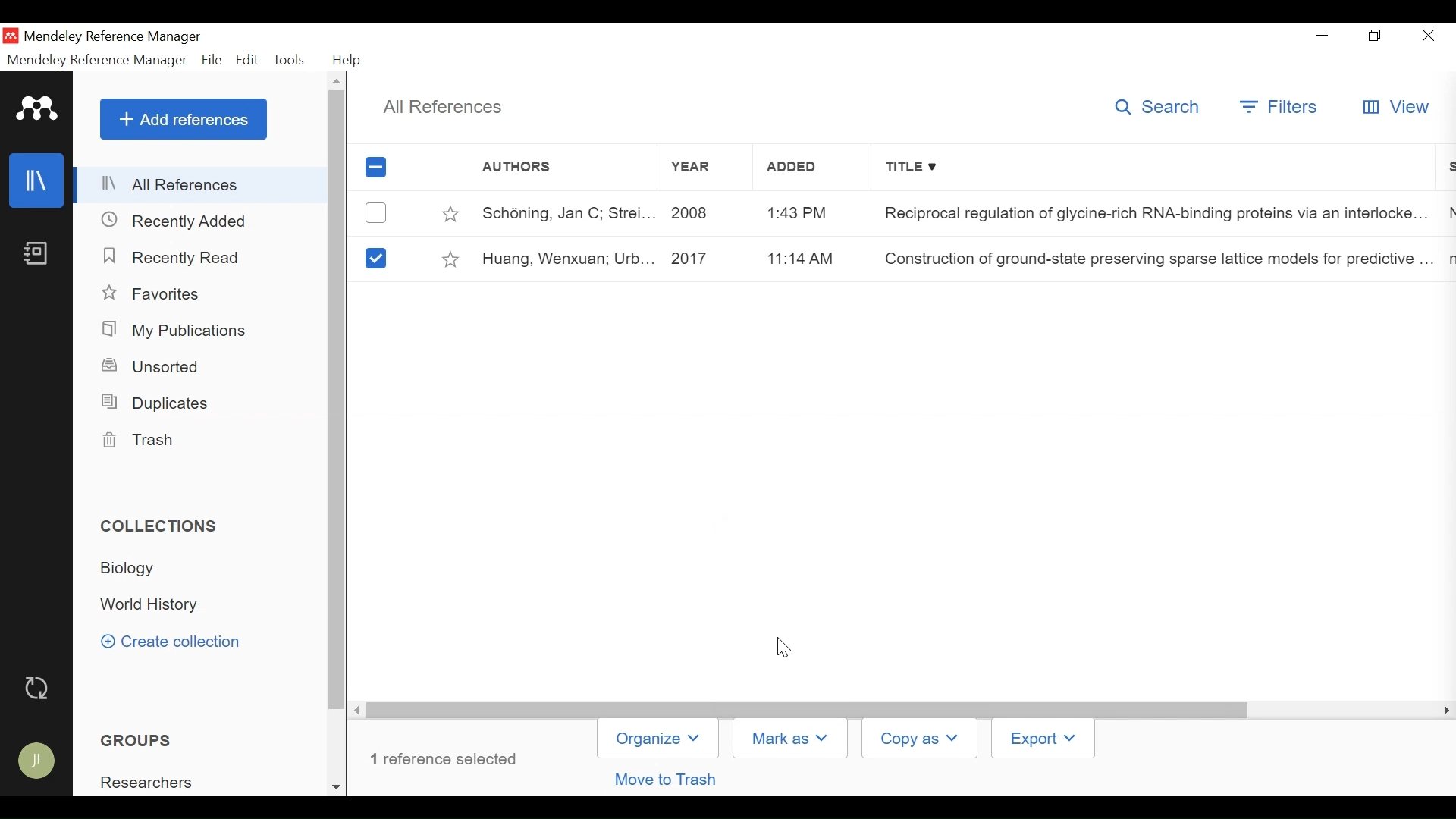 This screenshot has width=1456, height=819. Describe the element at coordinates (1152, 261) in the screenshot. I see `Construction of ground-state preserving sparse lattice models for predictive ...` at that location.